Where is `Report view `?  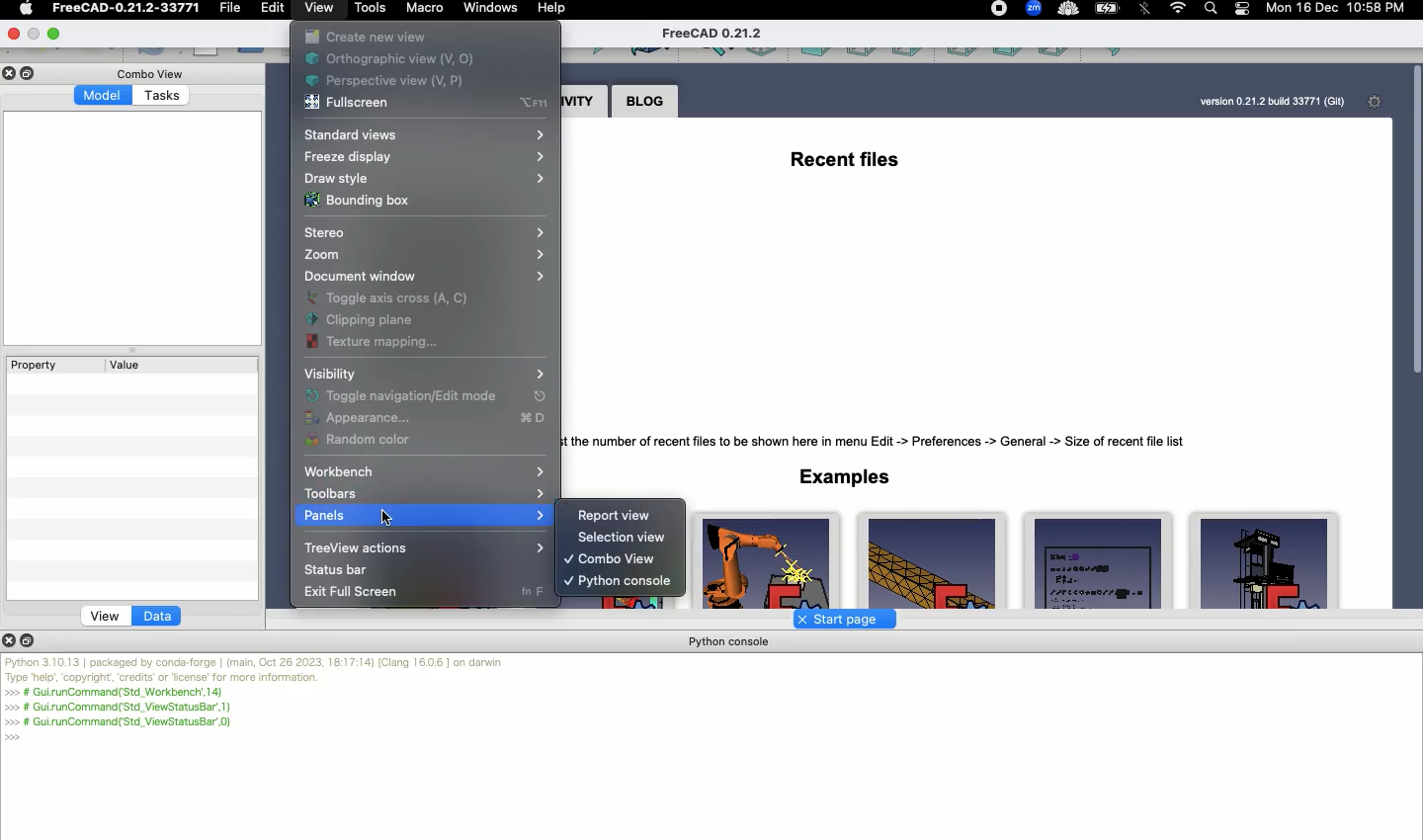
Report view  is located at coordinates (615, 515).